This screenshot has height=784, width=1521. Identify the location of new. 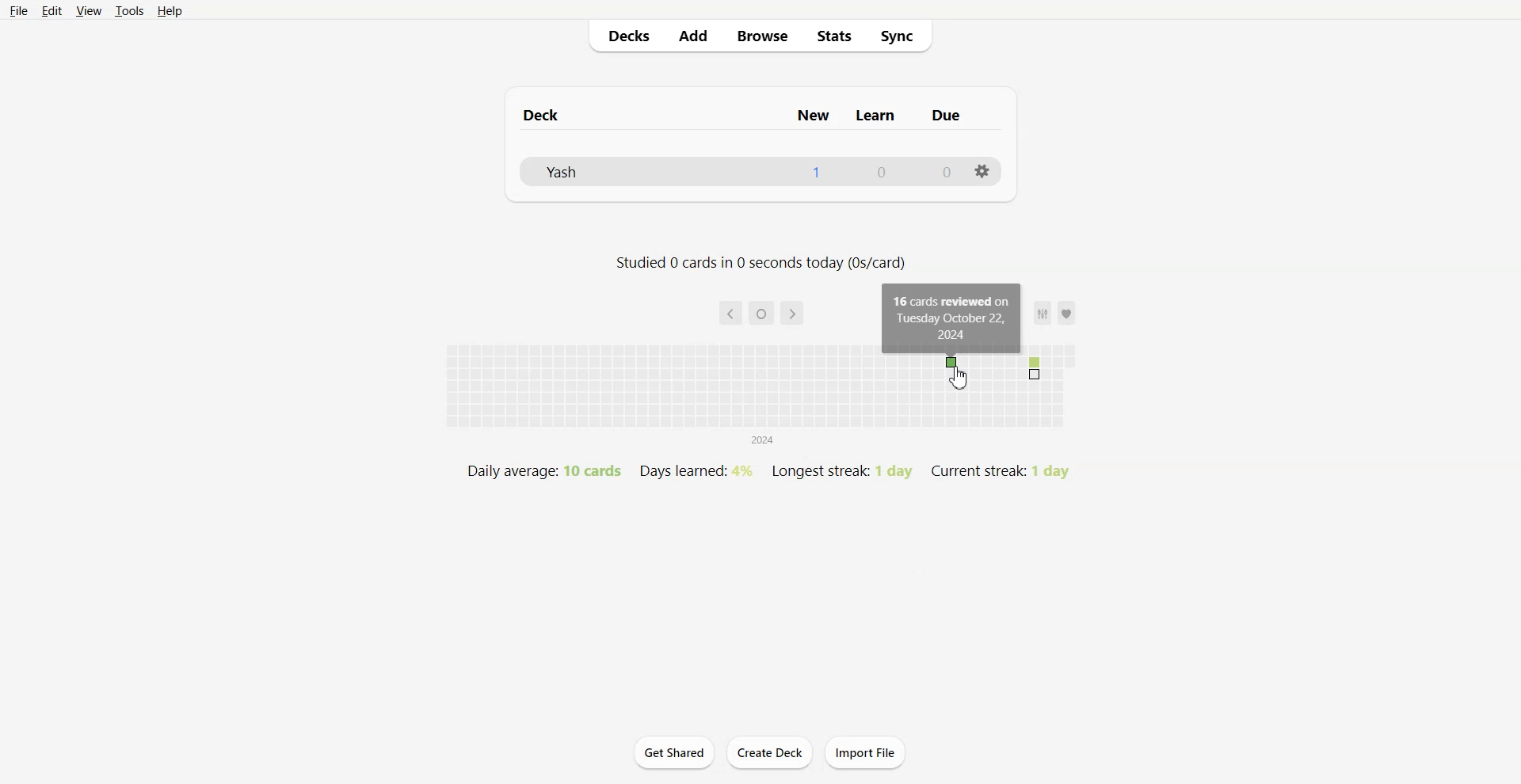
(815, 114).